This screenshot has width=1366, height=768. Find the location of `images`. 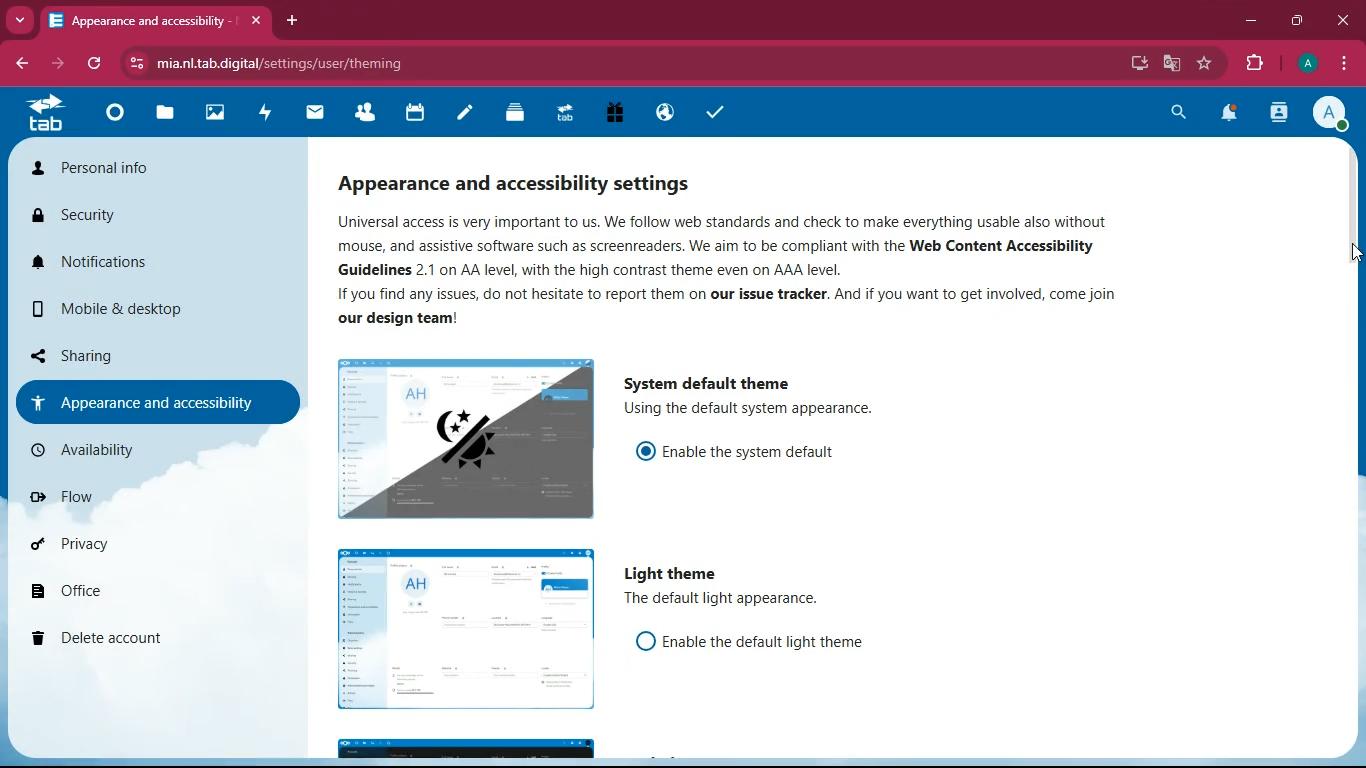

images is located at coordinates (219, 111).